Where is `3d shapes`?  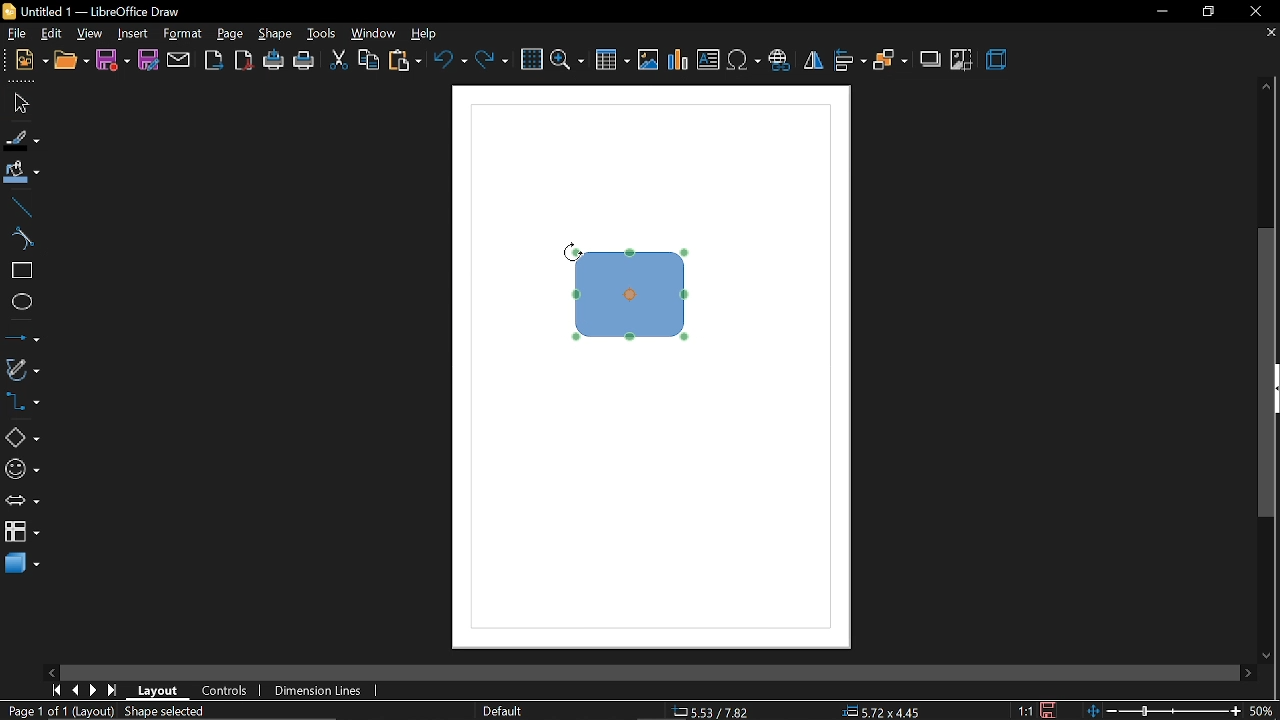 3d shapes is located at coordinates (22, 564).